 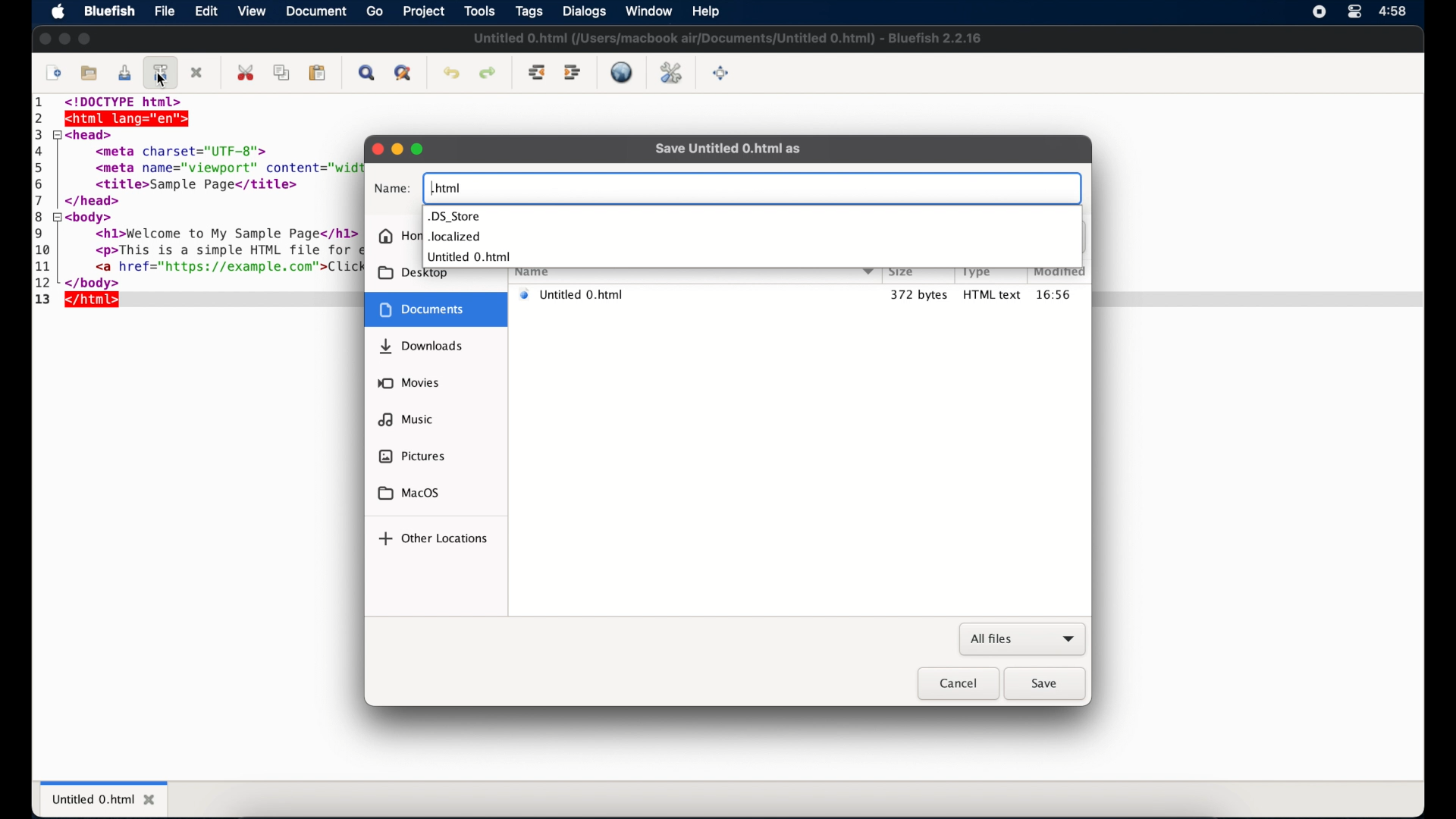 I want to click on edit preferences, so click(x=671, y=73).